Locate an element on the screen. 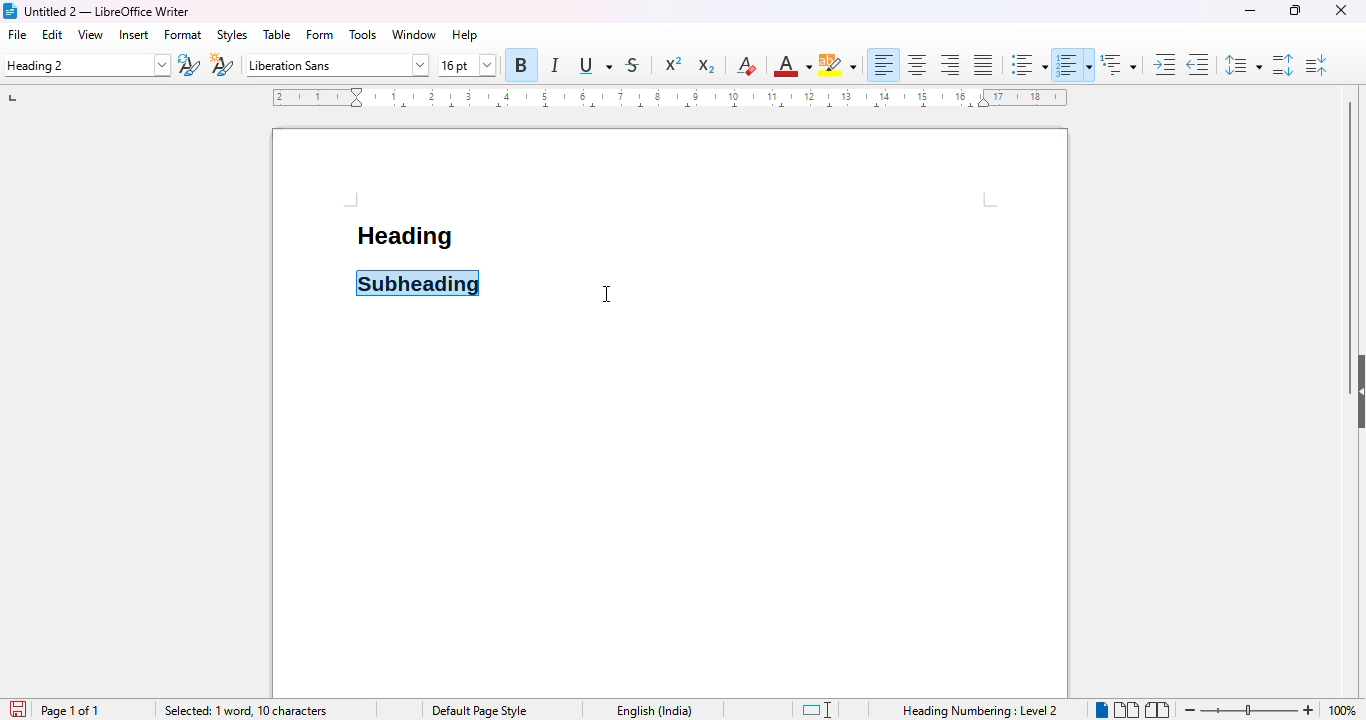  title is located at coordinates (107, 11).